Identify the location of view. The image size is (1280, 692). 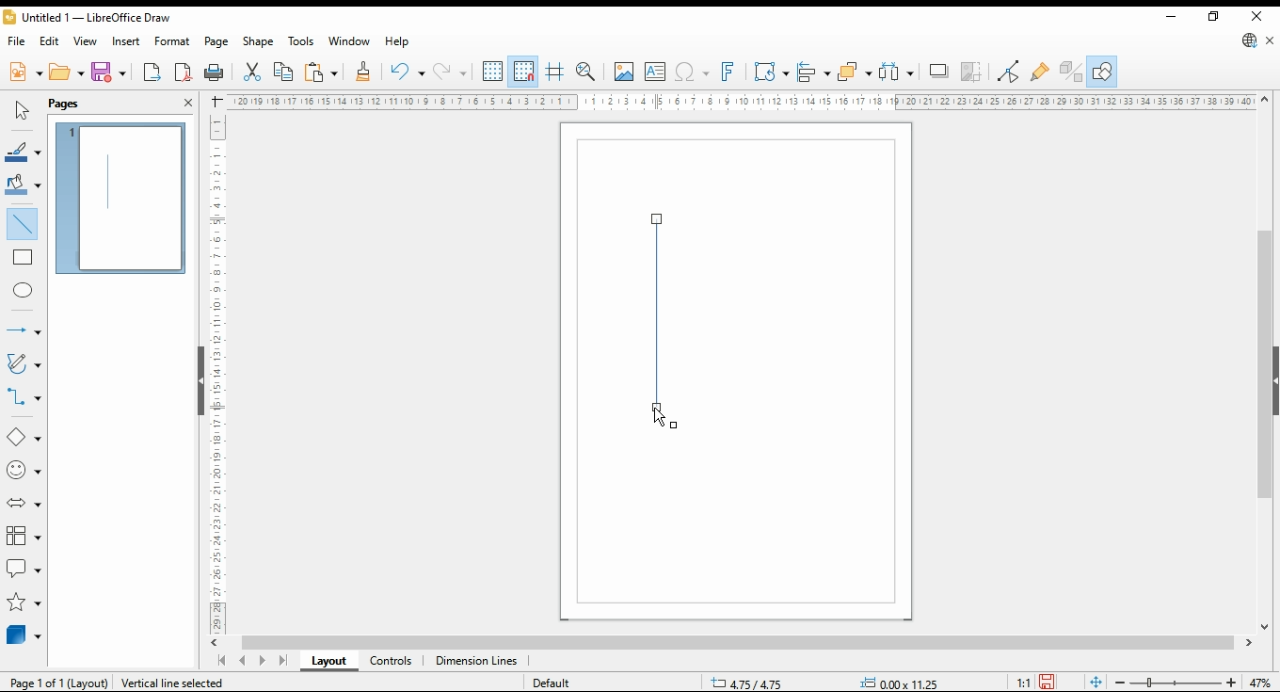
(86, 42).